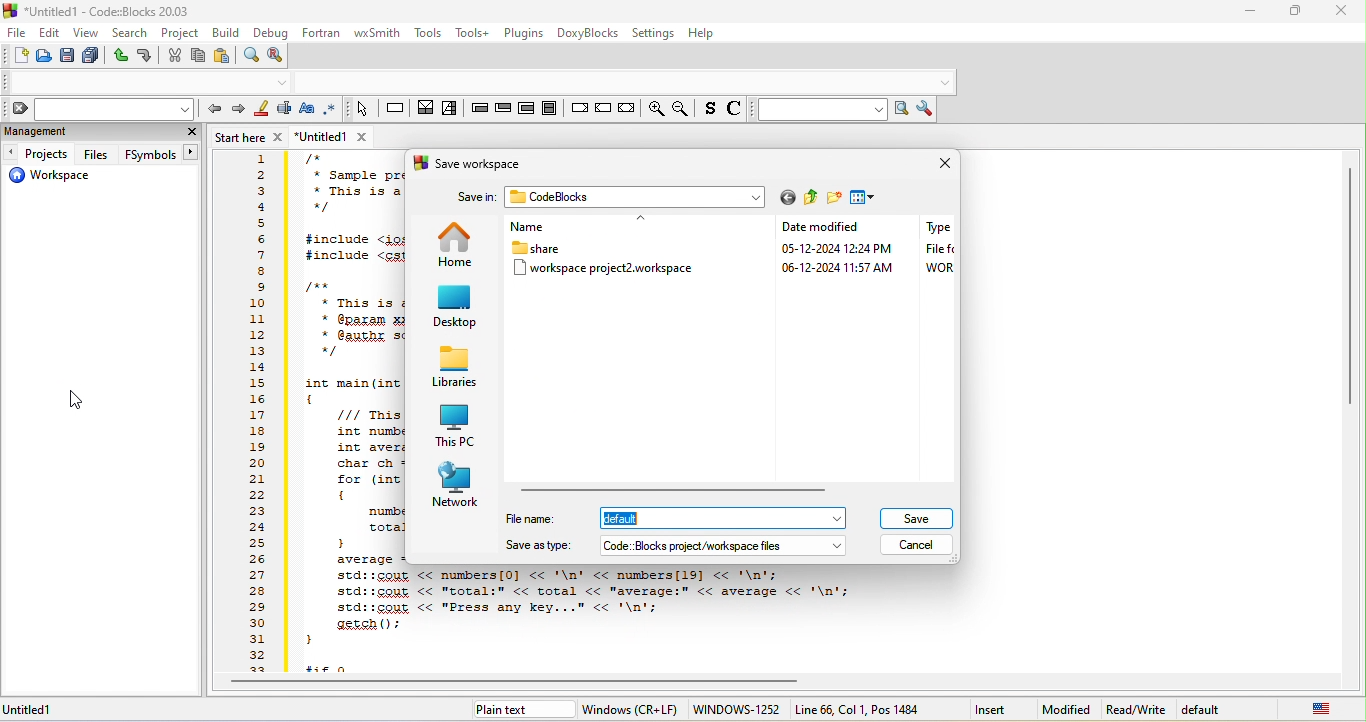  What do you see at coordinates (683, 109) in the screenshot?
I see `zoom out` at bounding box center [683, 109].